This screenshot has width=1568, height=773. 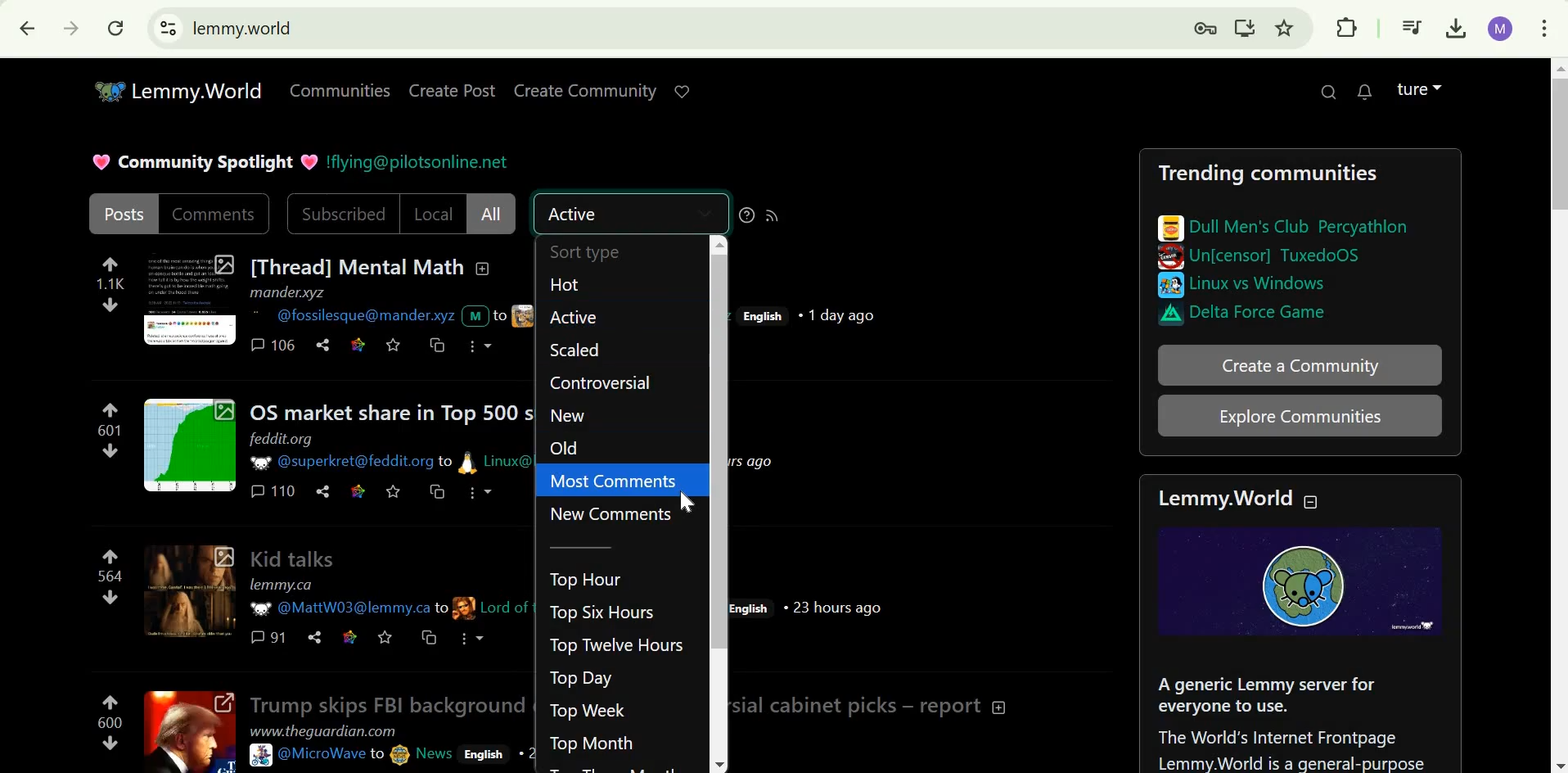 What do you see at coordinates (1271, 693) in the screenshot?
I see `A generic Lemmy server for everyone to use.` at bounding box center [1271, 693].